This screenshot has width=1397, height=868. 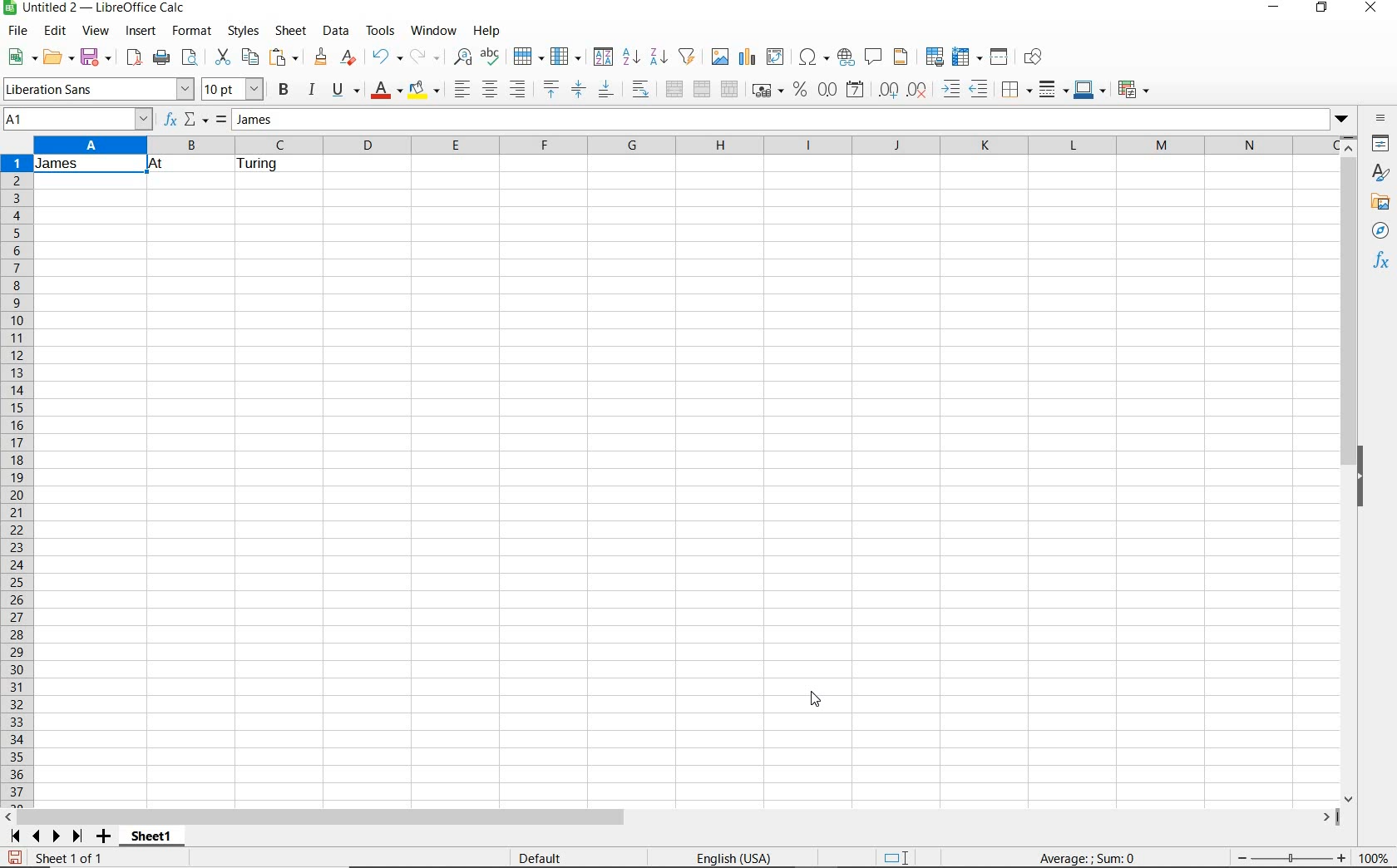 What do you see at coordinates (459, 86) in the screenshot?
I see `align left` at bounding box center [459, 86].